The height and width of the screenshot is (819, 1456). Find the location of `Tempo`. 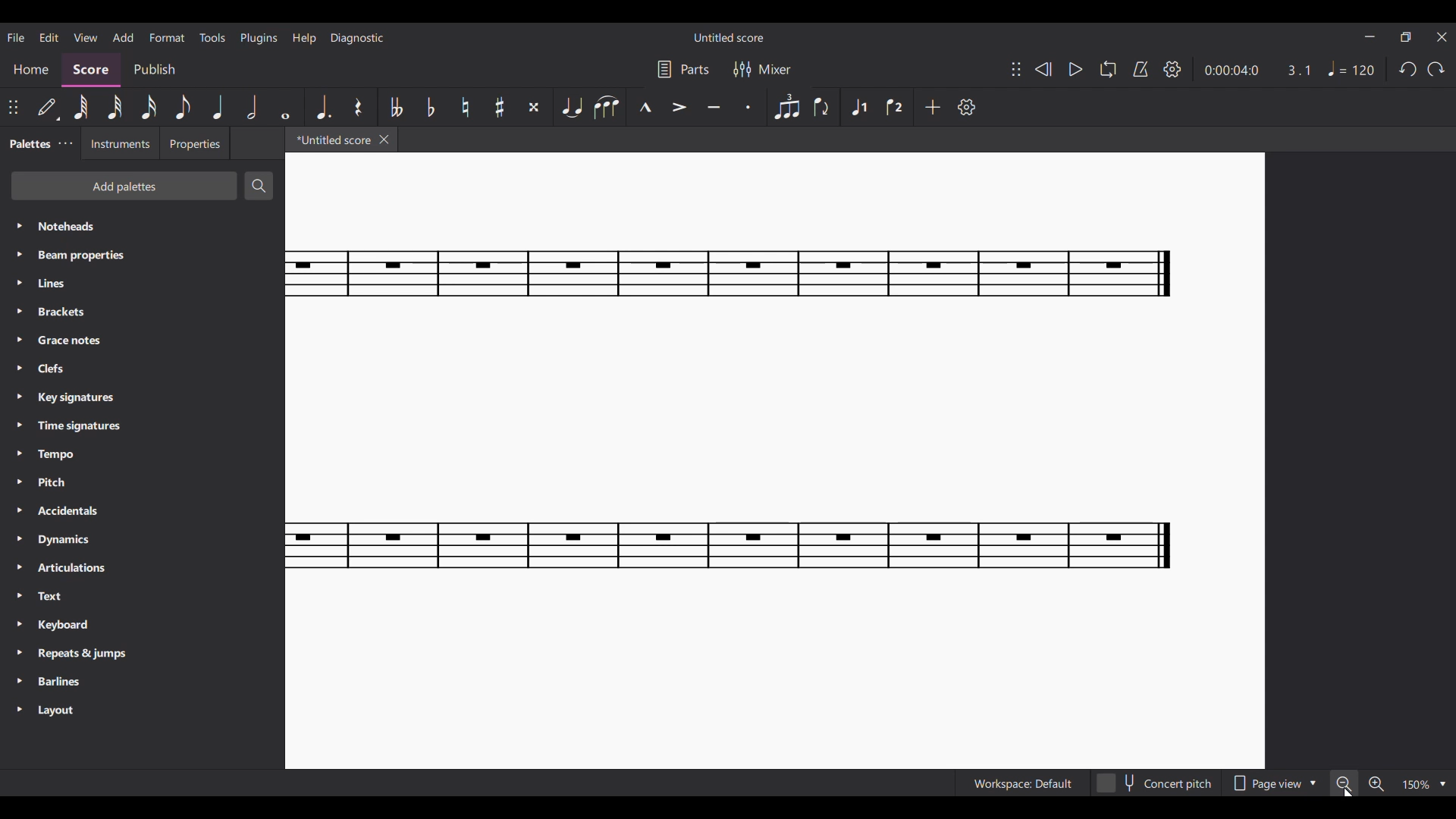

Tempo is located at coordinates (1353, 68).